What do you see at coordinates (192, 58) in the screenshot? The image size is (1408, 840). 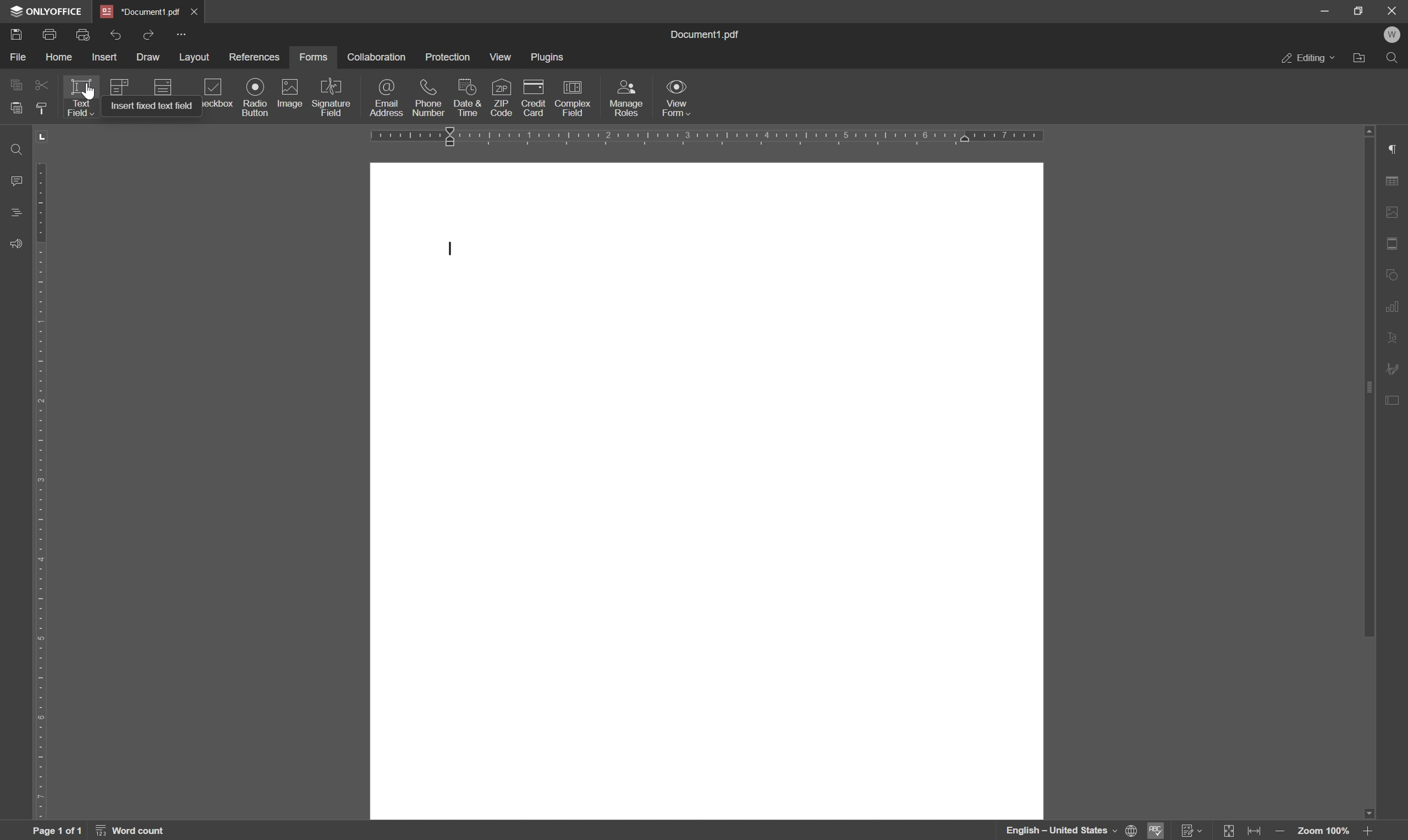 I see `layout` at bounding box center [192, 58].